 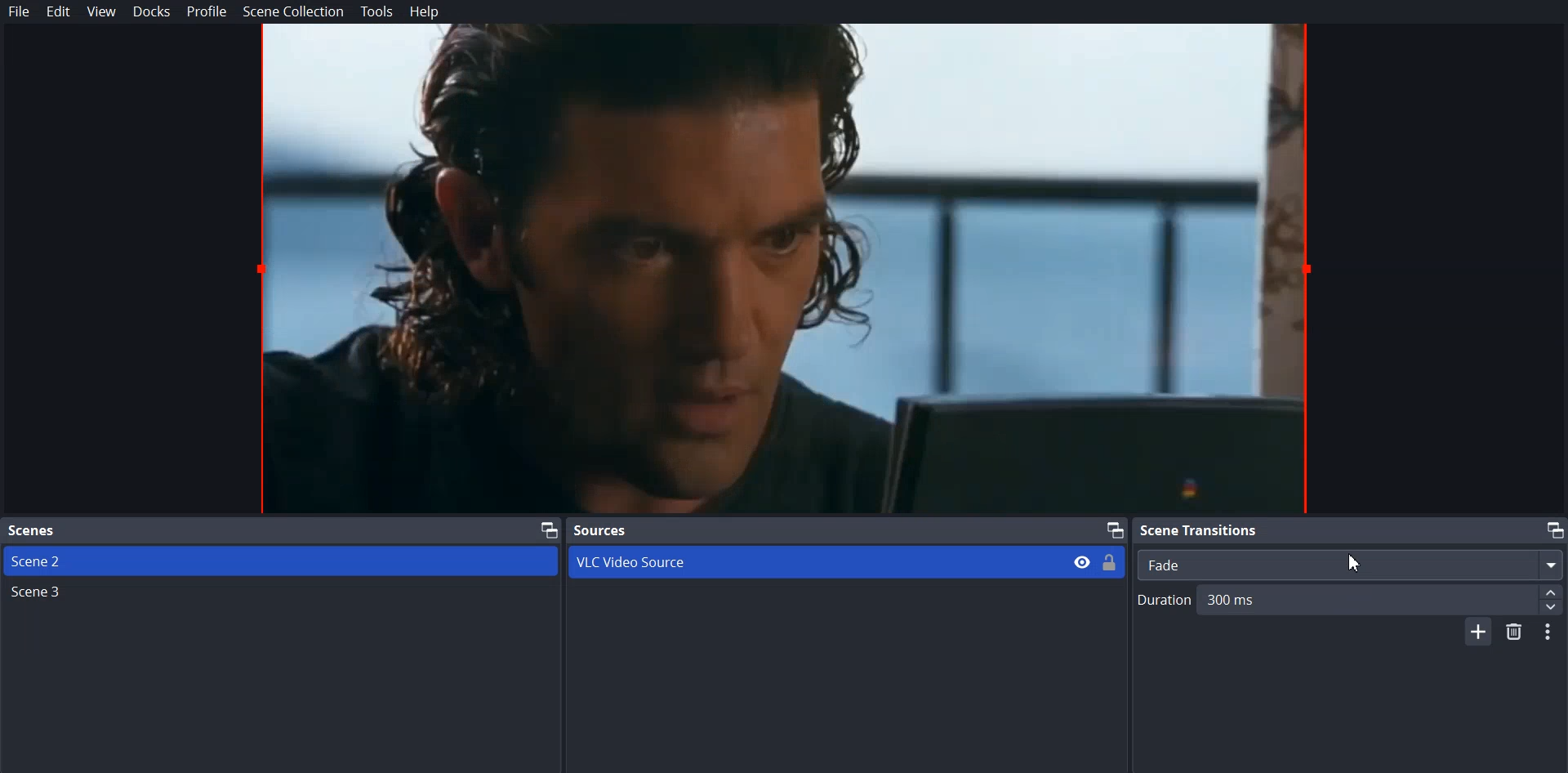 What do you see at coordinates (1478, 632) in the screenshot?
I see `Add Scene Transition` at bounding box center [1478, 632].